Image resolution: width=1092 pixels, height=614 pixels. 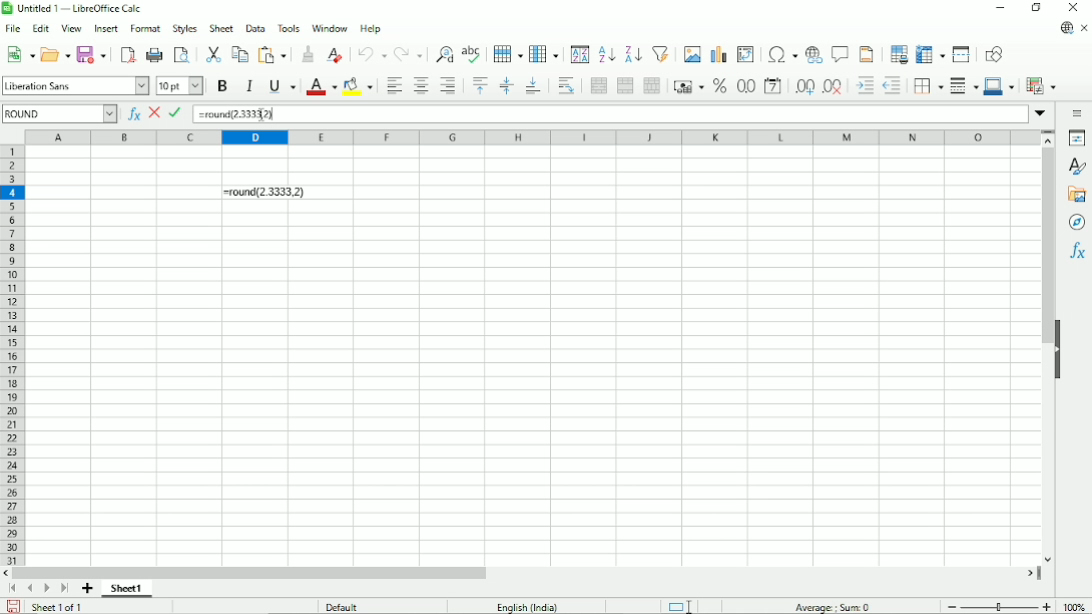 I want to click on Format as currency, so click(x=689, y=87).